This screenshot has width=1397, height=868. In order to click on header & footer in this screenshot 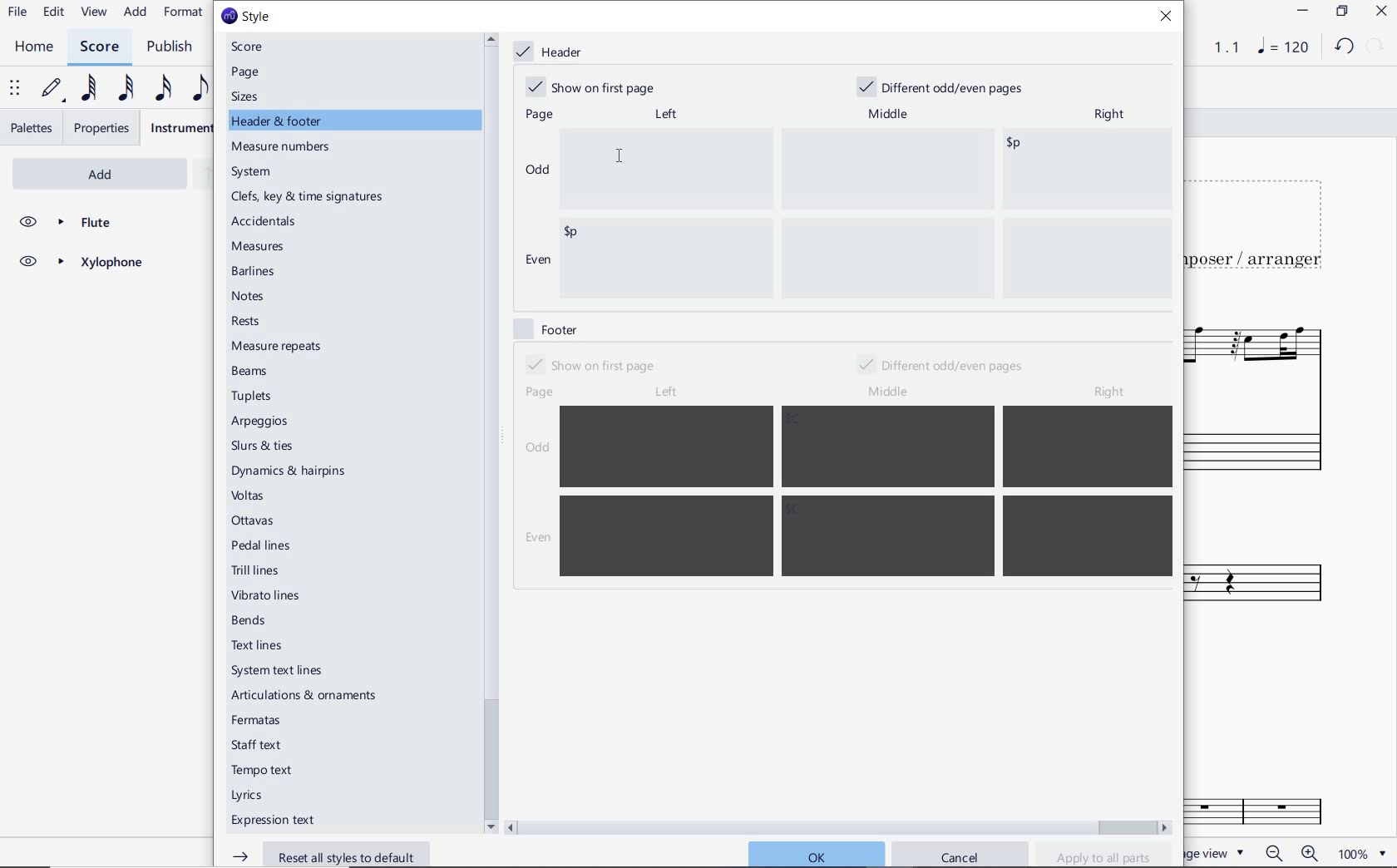, I will do `click(279, 121)`.